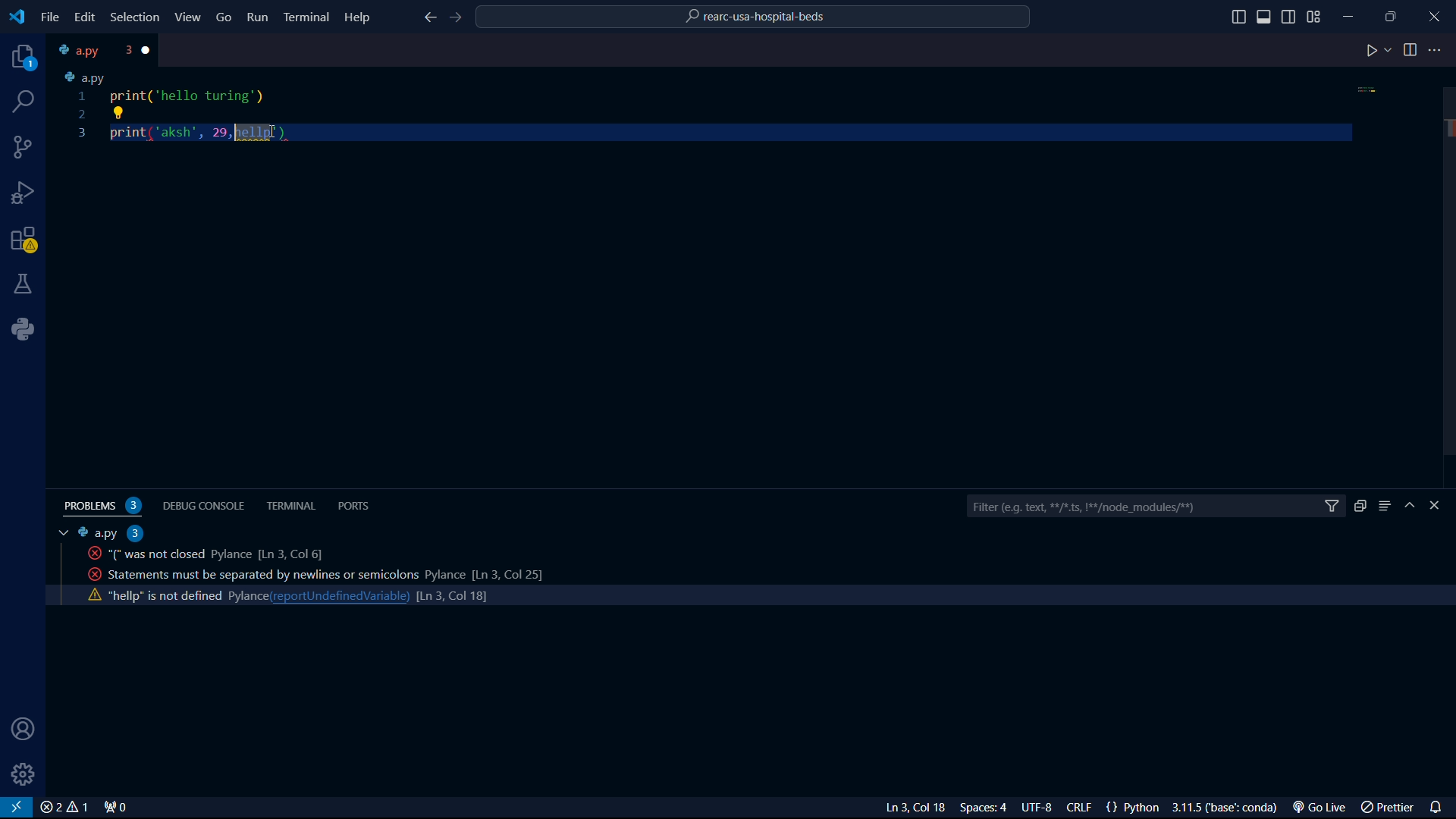 This screenshot has width=1456, height=819. What do you see at coordinates (106, 506) in the screenshot?
I see `problems 2` at bounding box center [106, 506].